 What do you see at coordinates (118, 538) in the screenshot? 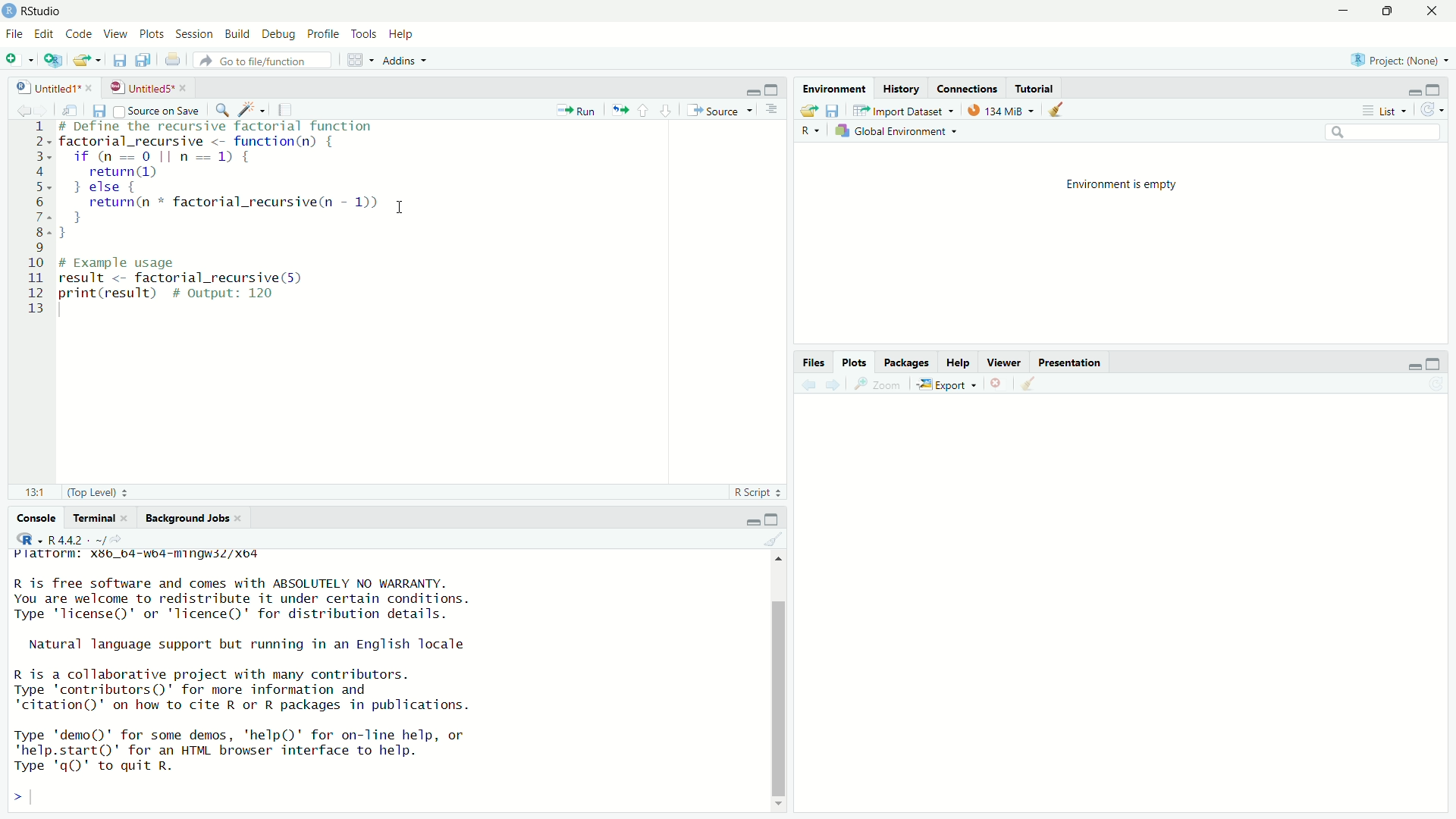
I see `View the current working directory` at bounding box center [118, 538].